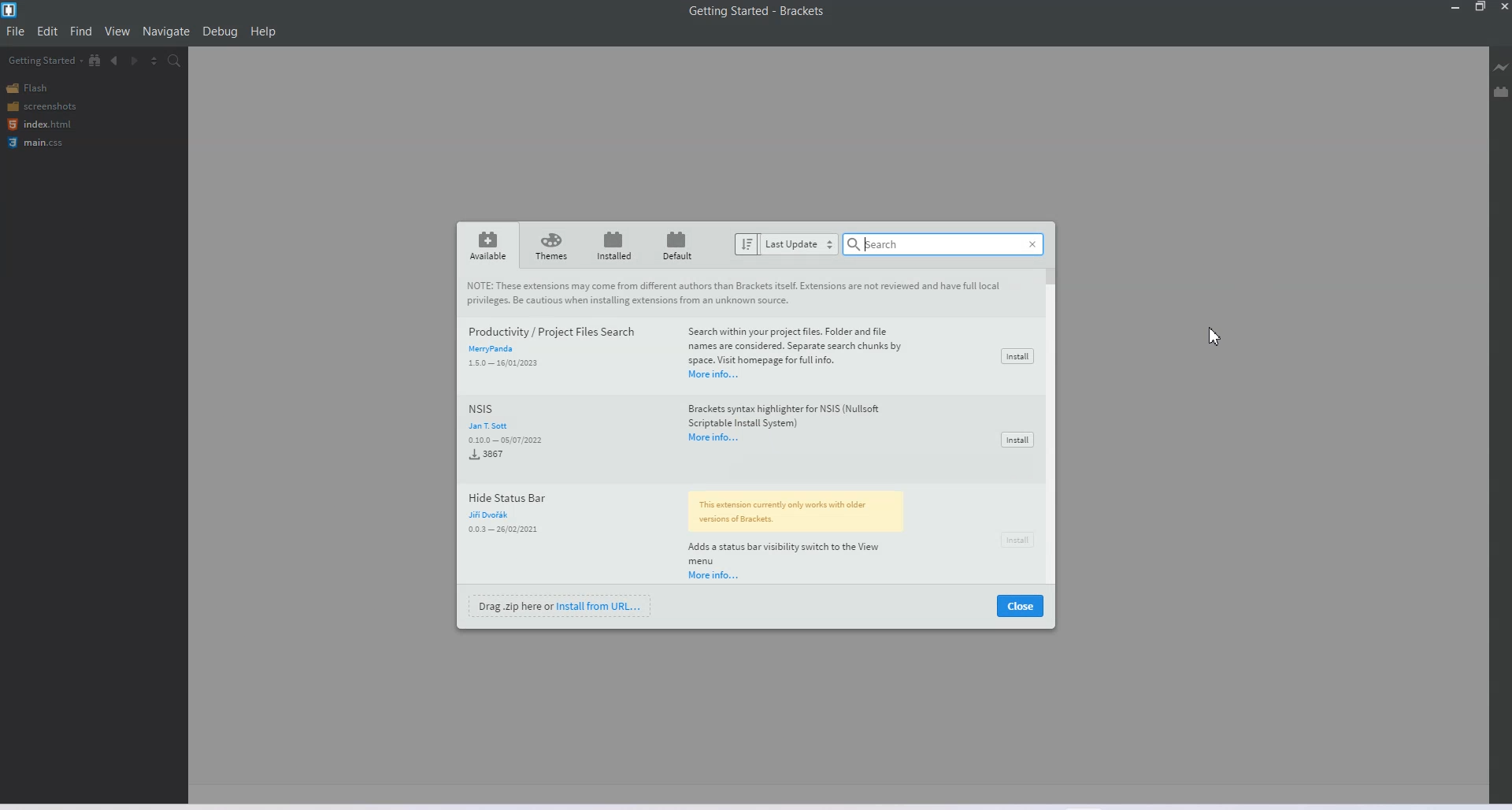 The width and height of the screenshot is (1512, 810). I want to click on 0.0.3-26/02/2021, so click(499, 529).